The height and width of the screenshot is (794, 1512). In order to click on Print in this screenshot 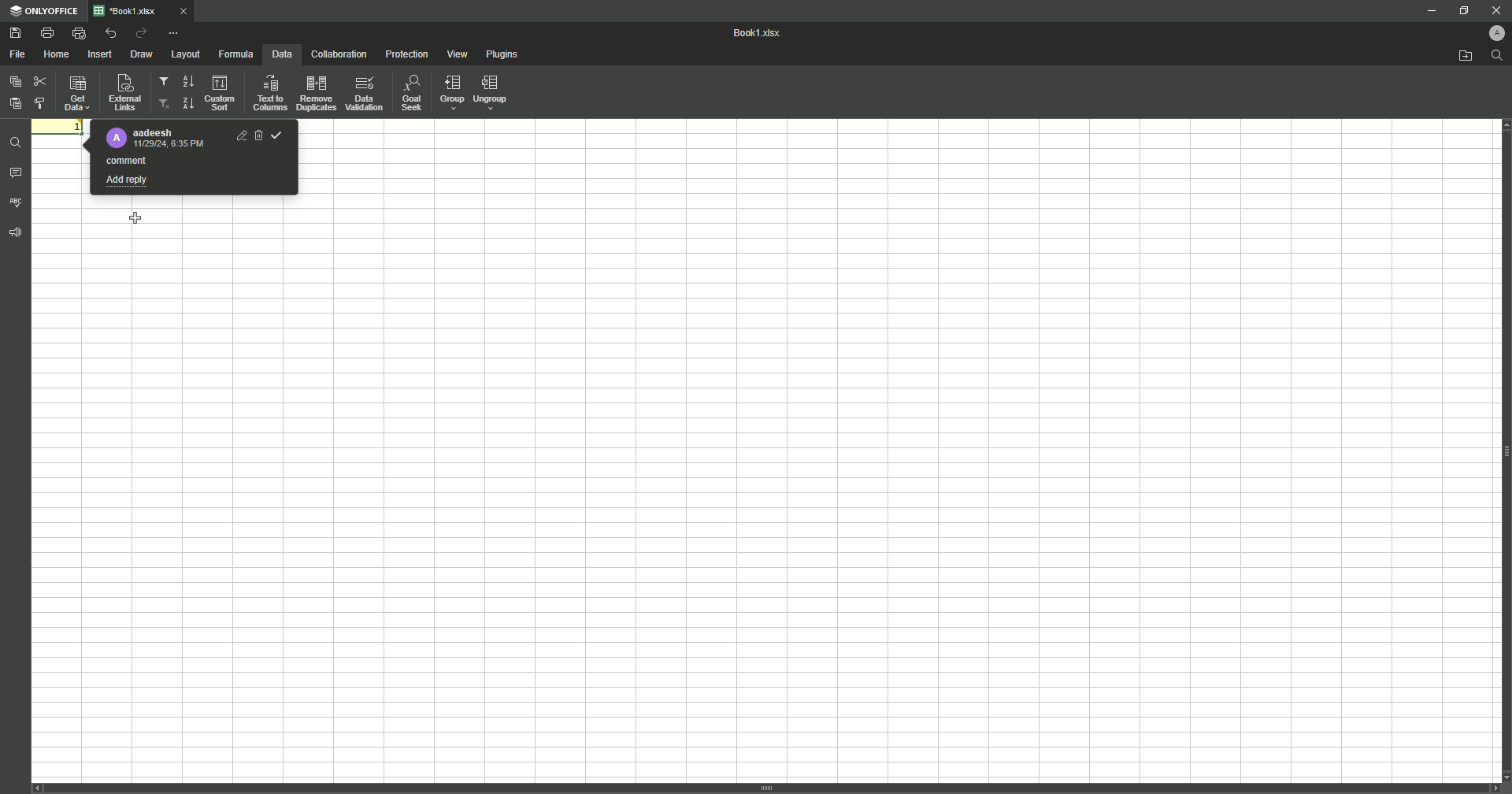, I will do `click(46, 33)`.